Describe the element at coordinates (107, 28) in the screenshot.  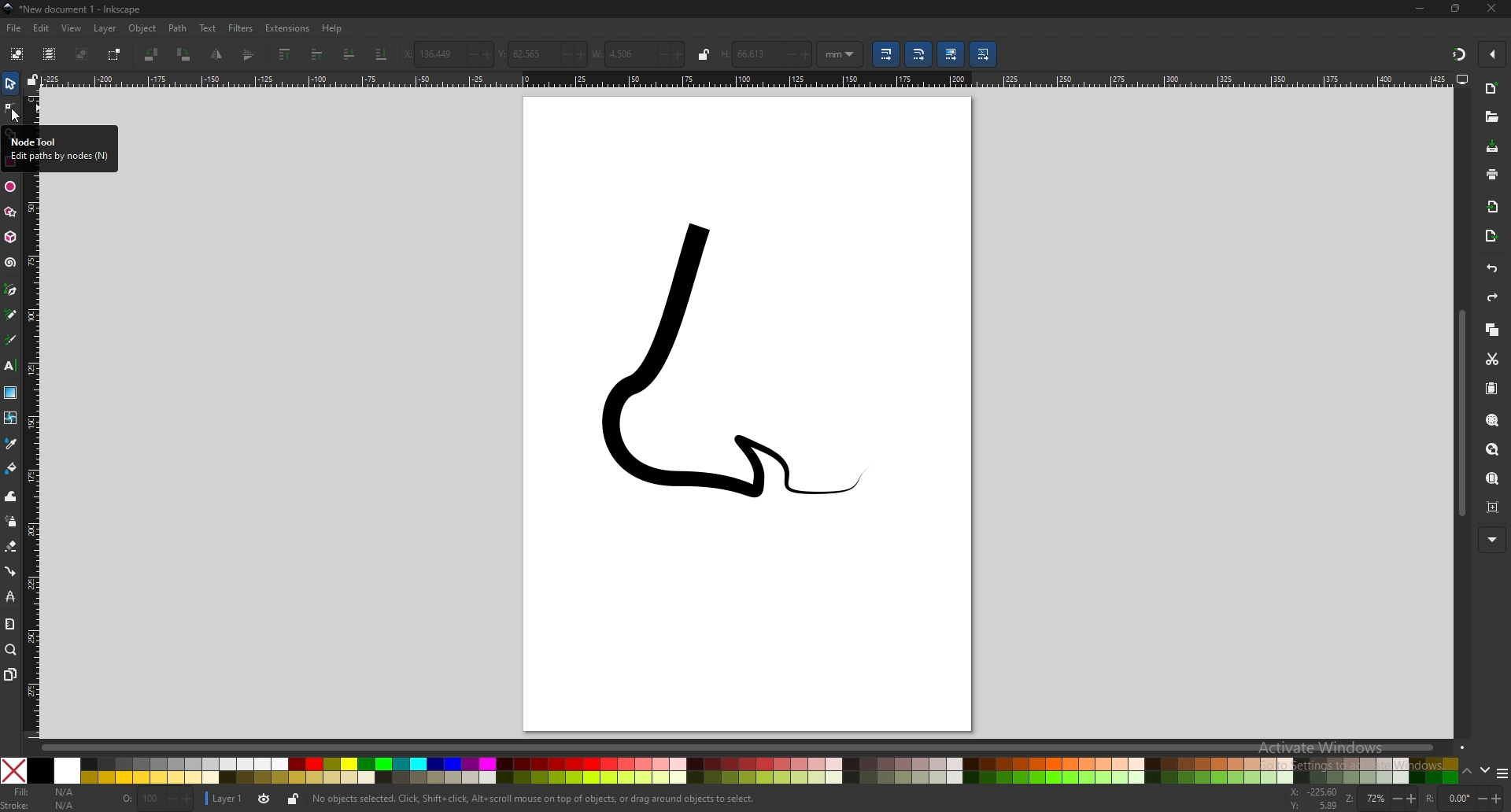
I see `layer` at that location.